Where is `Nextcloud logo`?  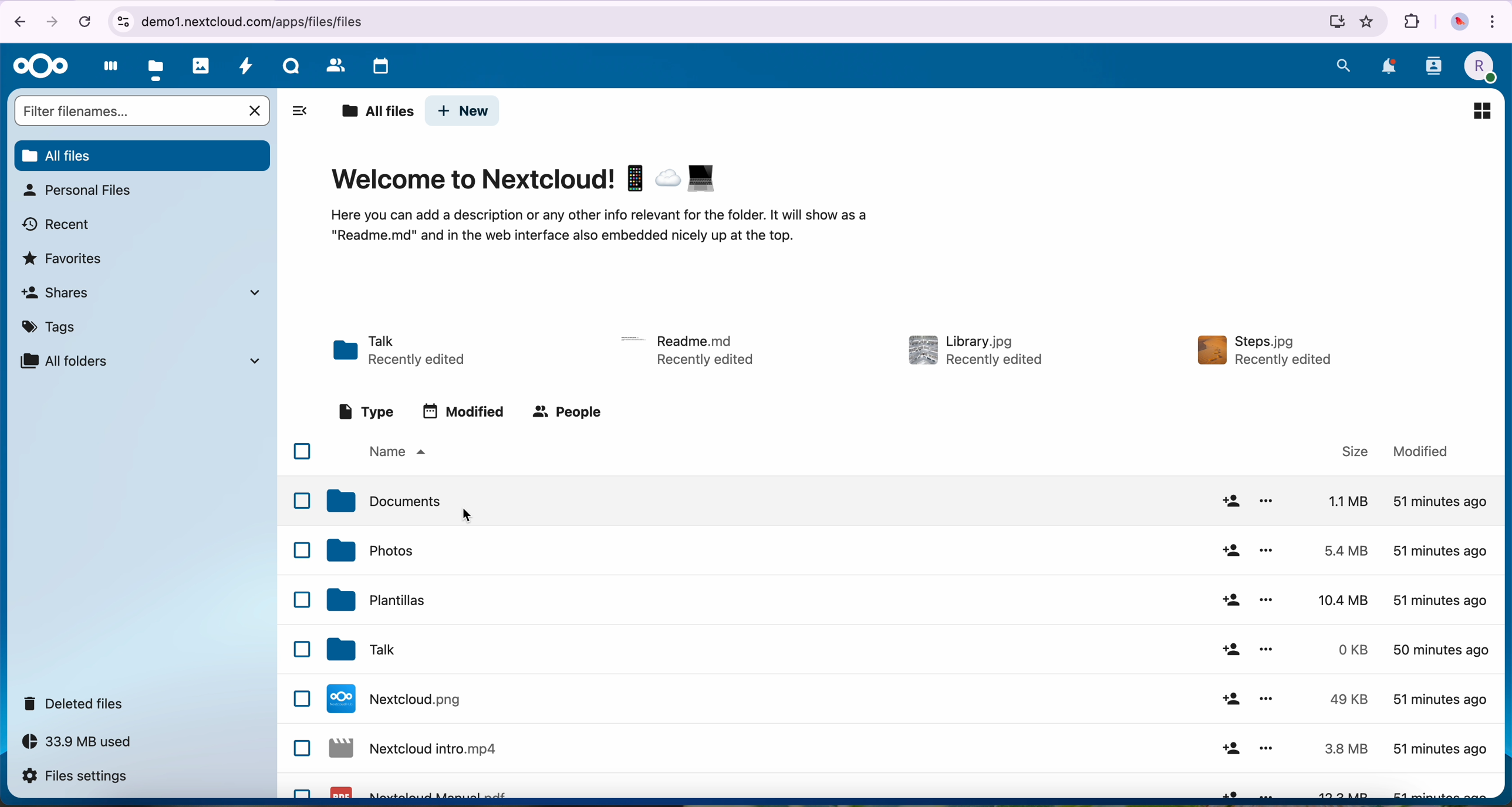
Nextcloud logo is located at coordinates (37, 66).